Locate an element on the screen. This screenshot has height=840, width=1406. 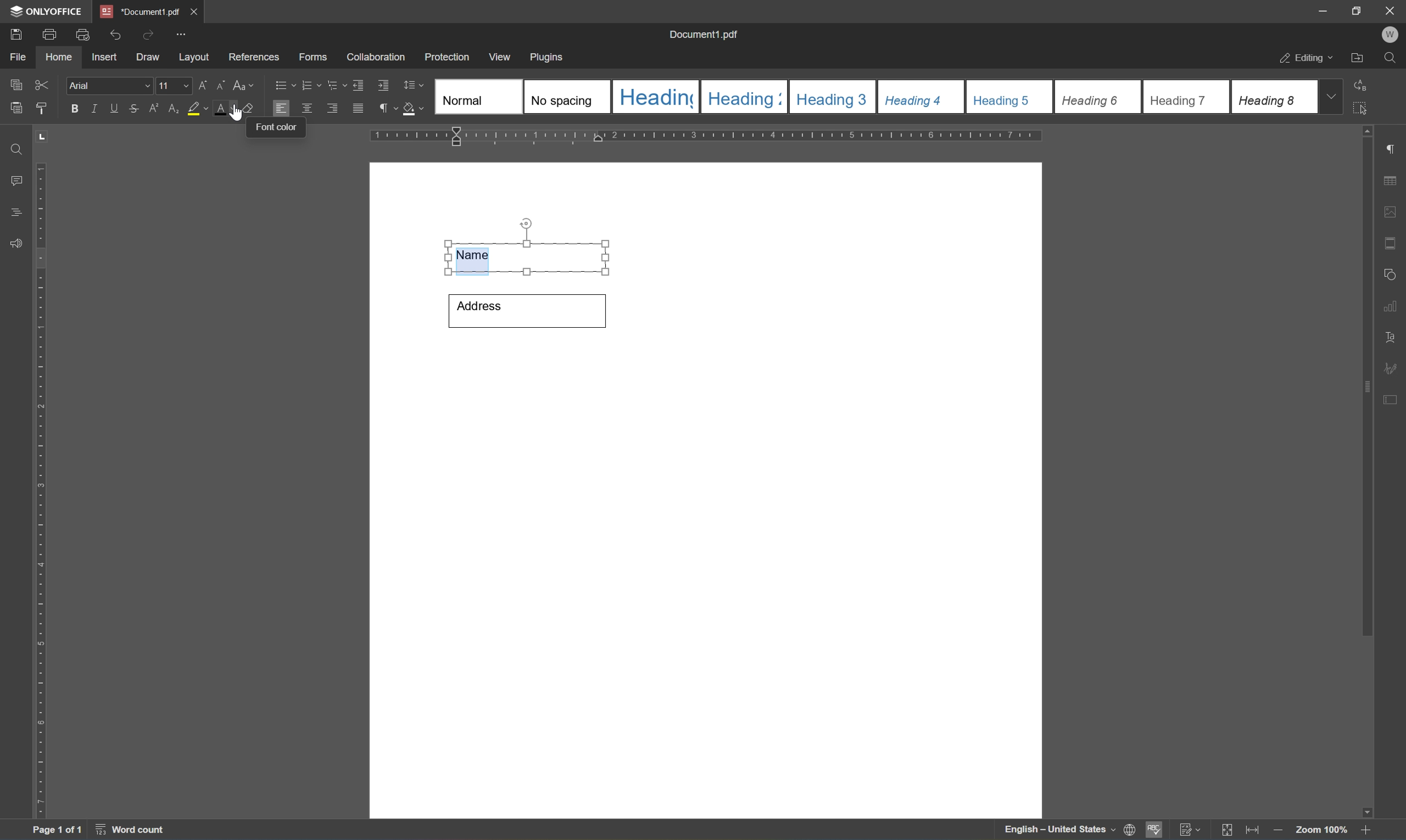
view is located at coordinates (502, 56).